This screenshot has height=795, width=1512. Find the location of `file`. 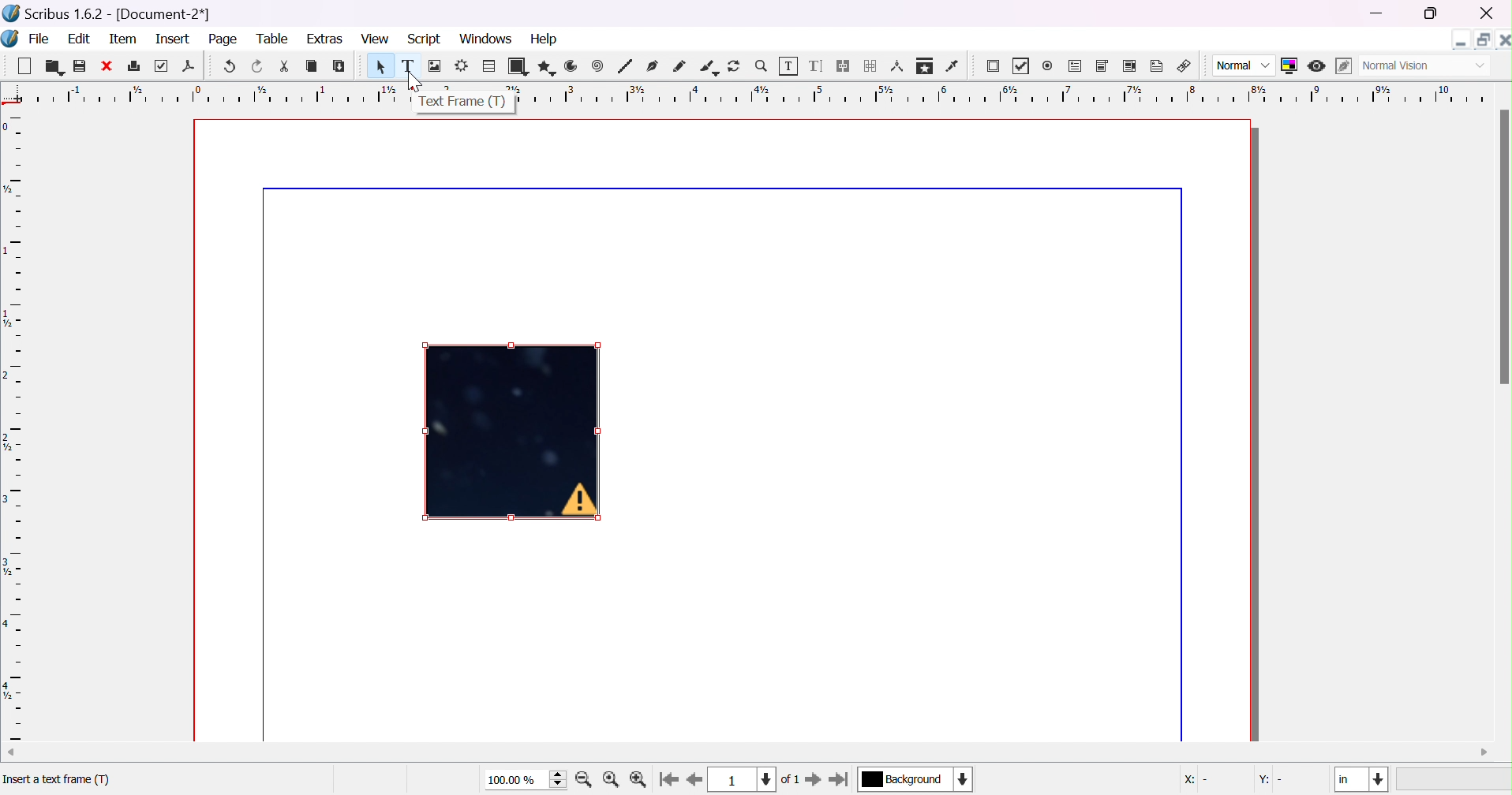

file is located at coordinates (39, 38).